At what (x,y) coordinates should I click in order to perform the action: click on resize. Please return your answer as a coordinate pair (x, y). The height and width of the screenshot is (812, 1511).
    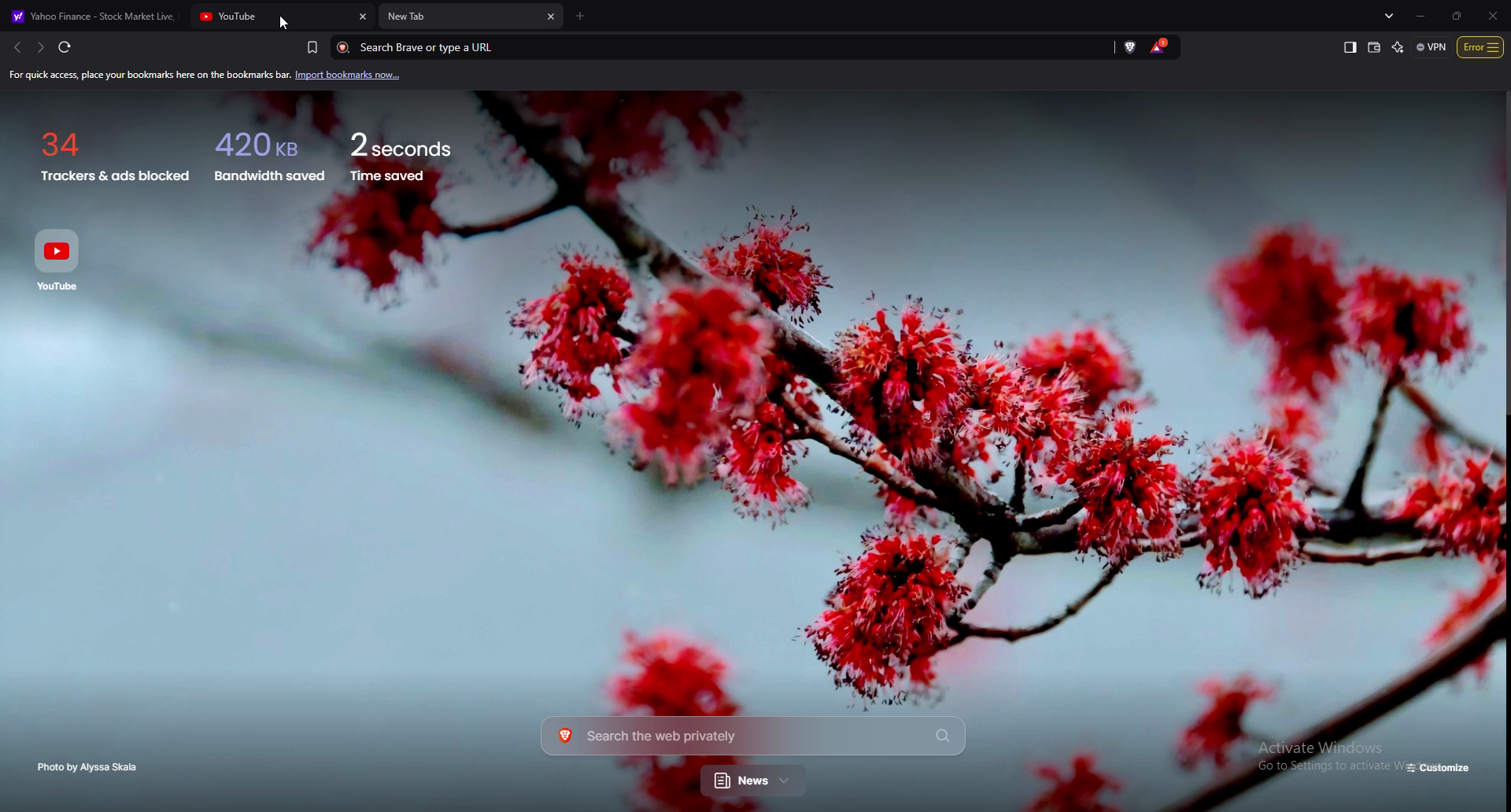
    Looking at the image, I should click on (1455, 15).